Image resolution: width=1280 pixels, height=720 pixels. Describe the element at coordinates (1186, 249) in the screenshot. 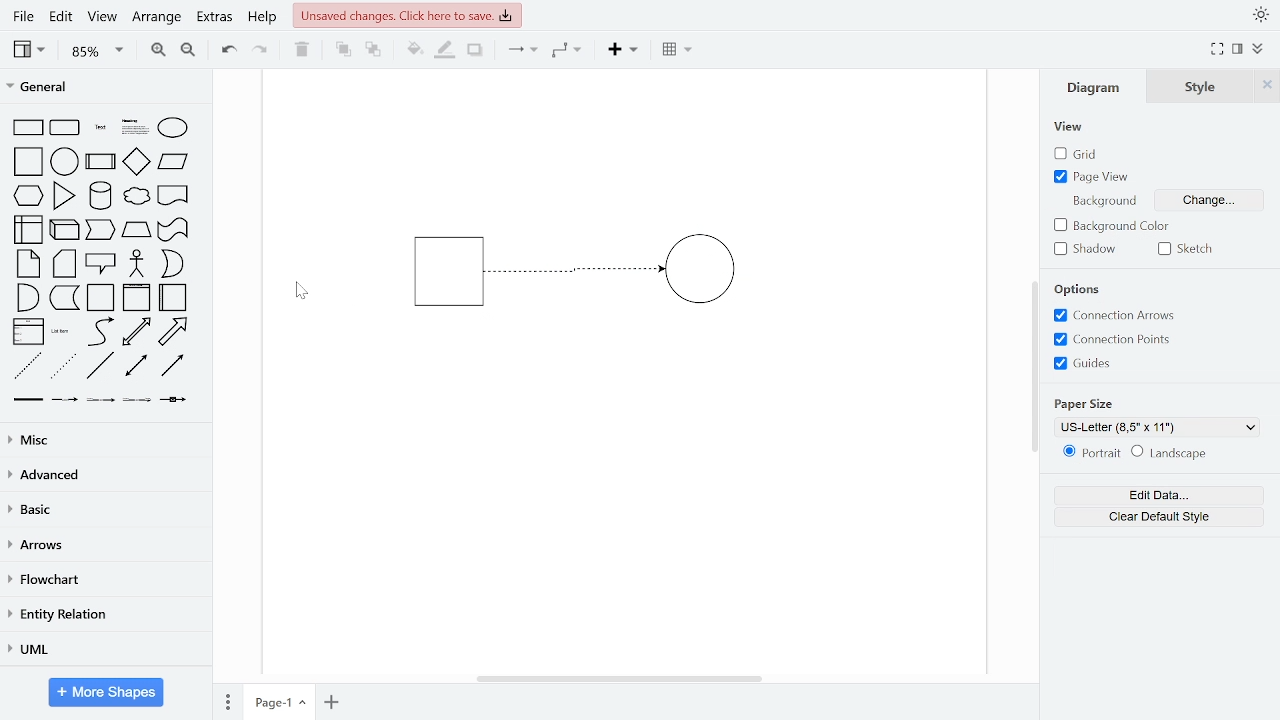

I see `sketch` at that location.